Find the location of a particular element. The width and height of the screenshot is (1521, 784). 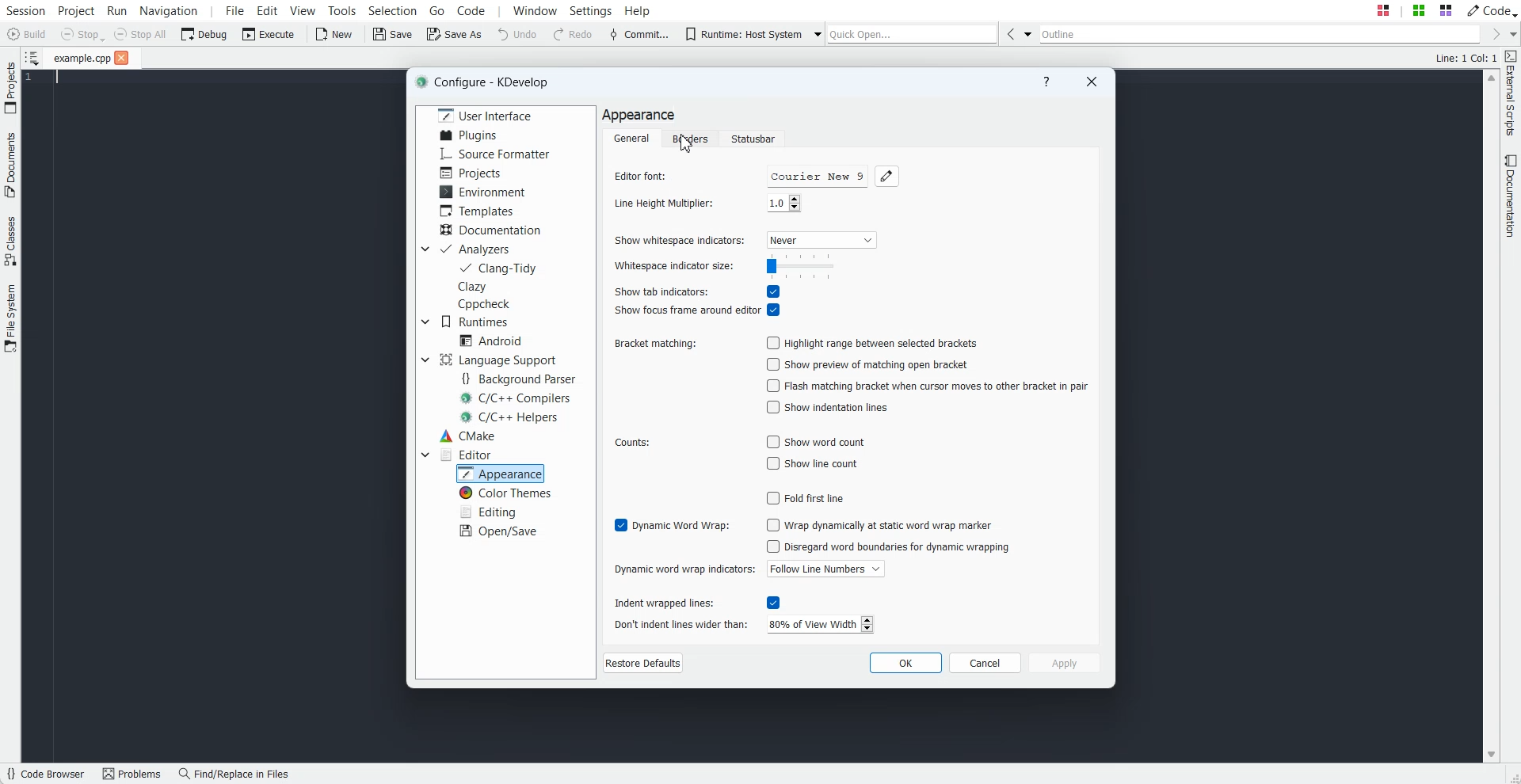

Cppcheck is located at coordinates (483, 304).